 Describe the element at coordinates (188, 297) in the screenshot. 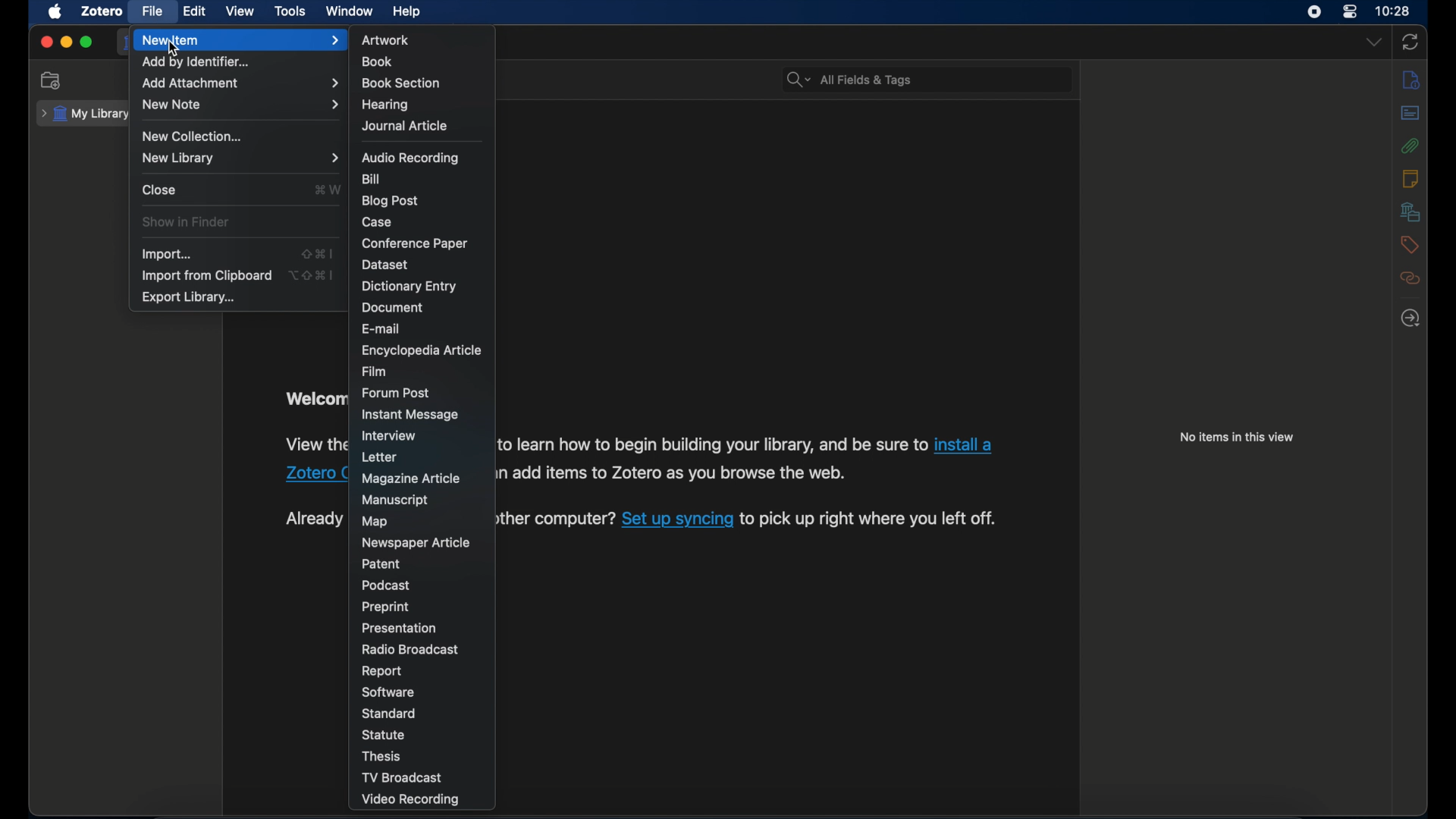

I see `export library` at that location.